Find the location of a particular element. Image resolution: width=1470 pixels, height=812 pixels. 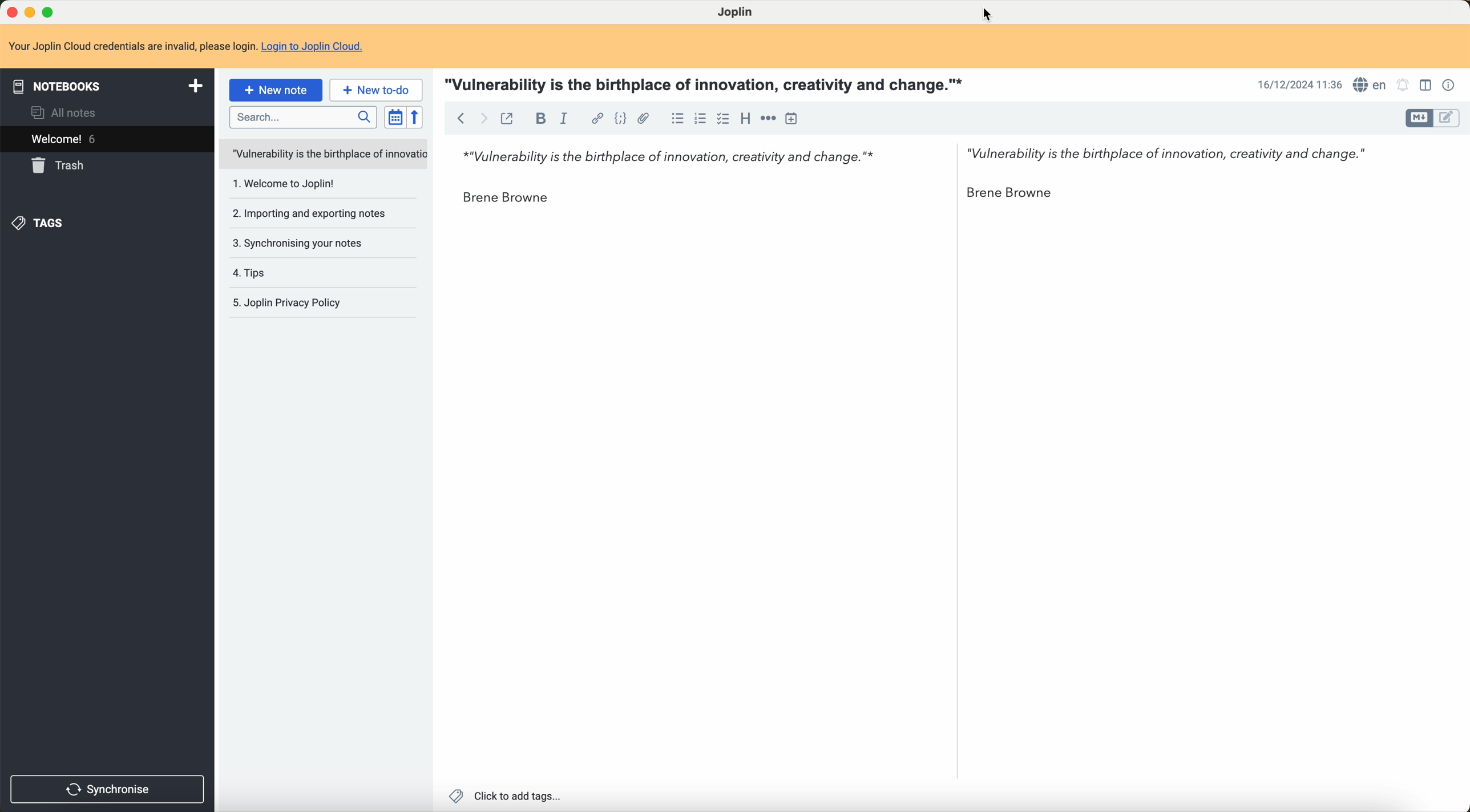

bulleted list is located at coordinates (675, 119).